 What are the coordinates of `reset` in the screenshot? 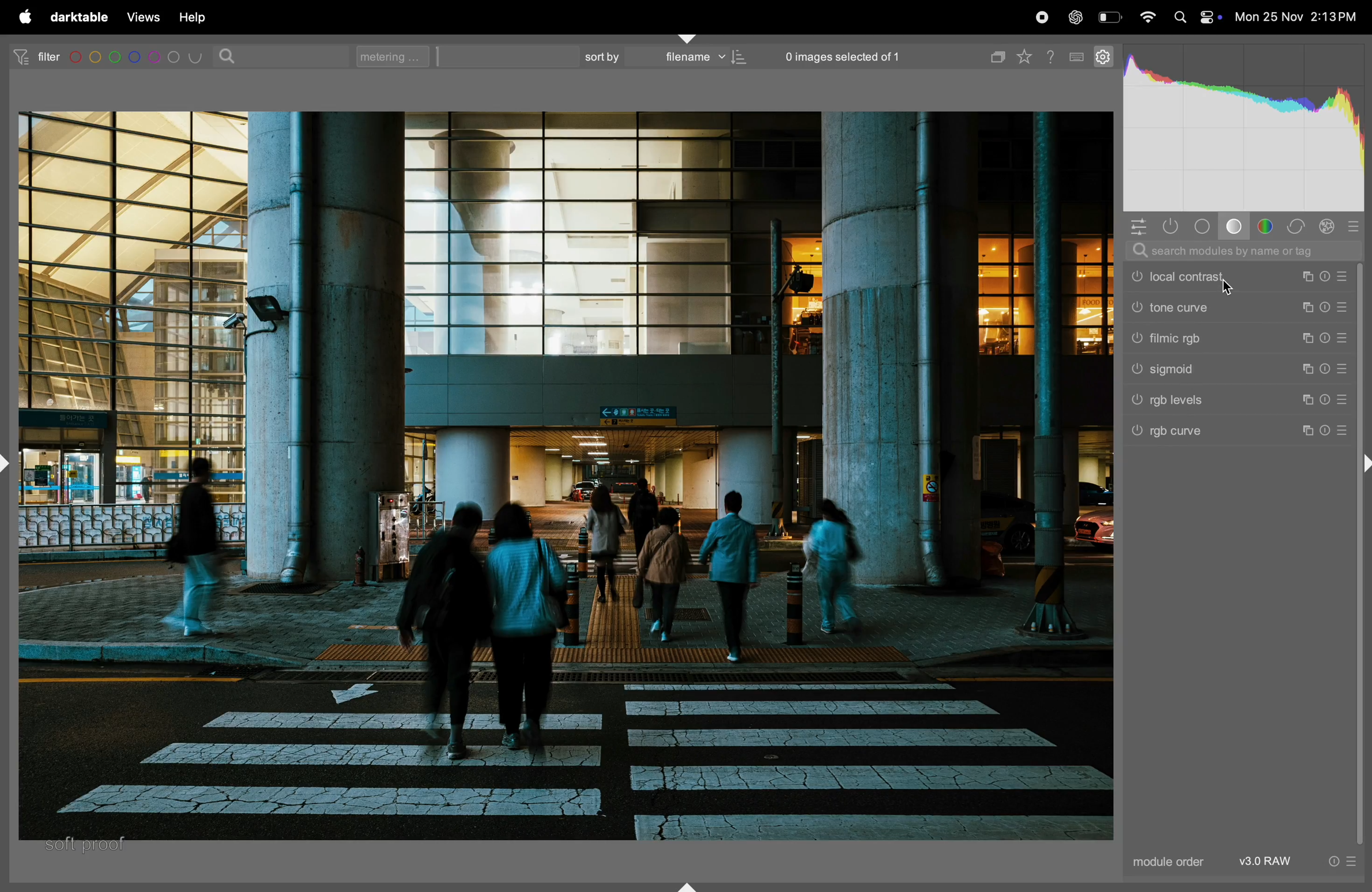 It's located at (1327, 308).